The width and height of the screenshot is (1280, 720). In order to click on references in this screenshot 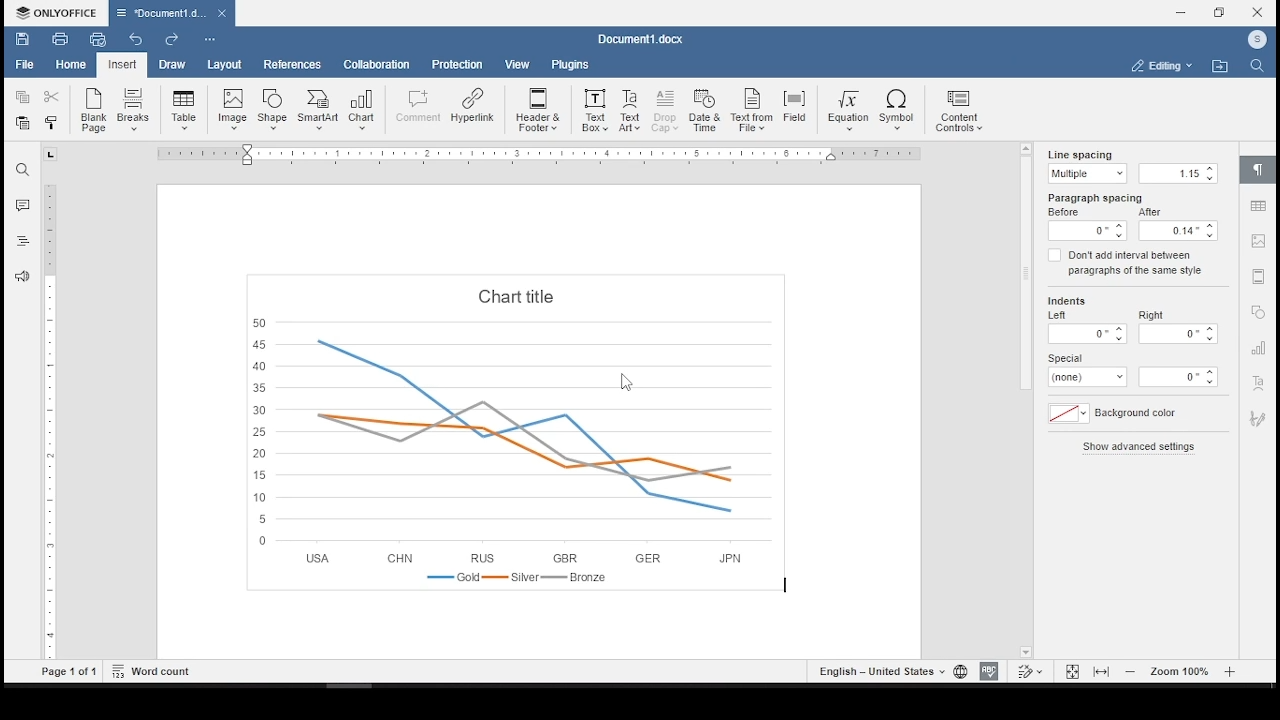, I will do `click(291, 64)`.